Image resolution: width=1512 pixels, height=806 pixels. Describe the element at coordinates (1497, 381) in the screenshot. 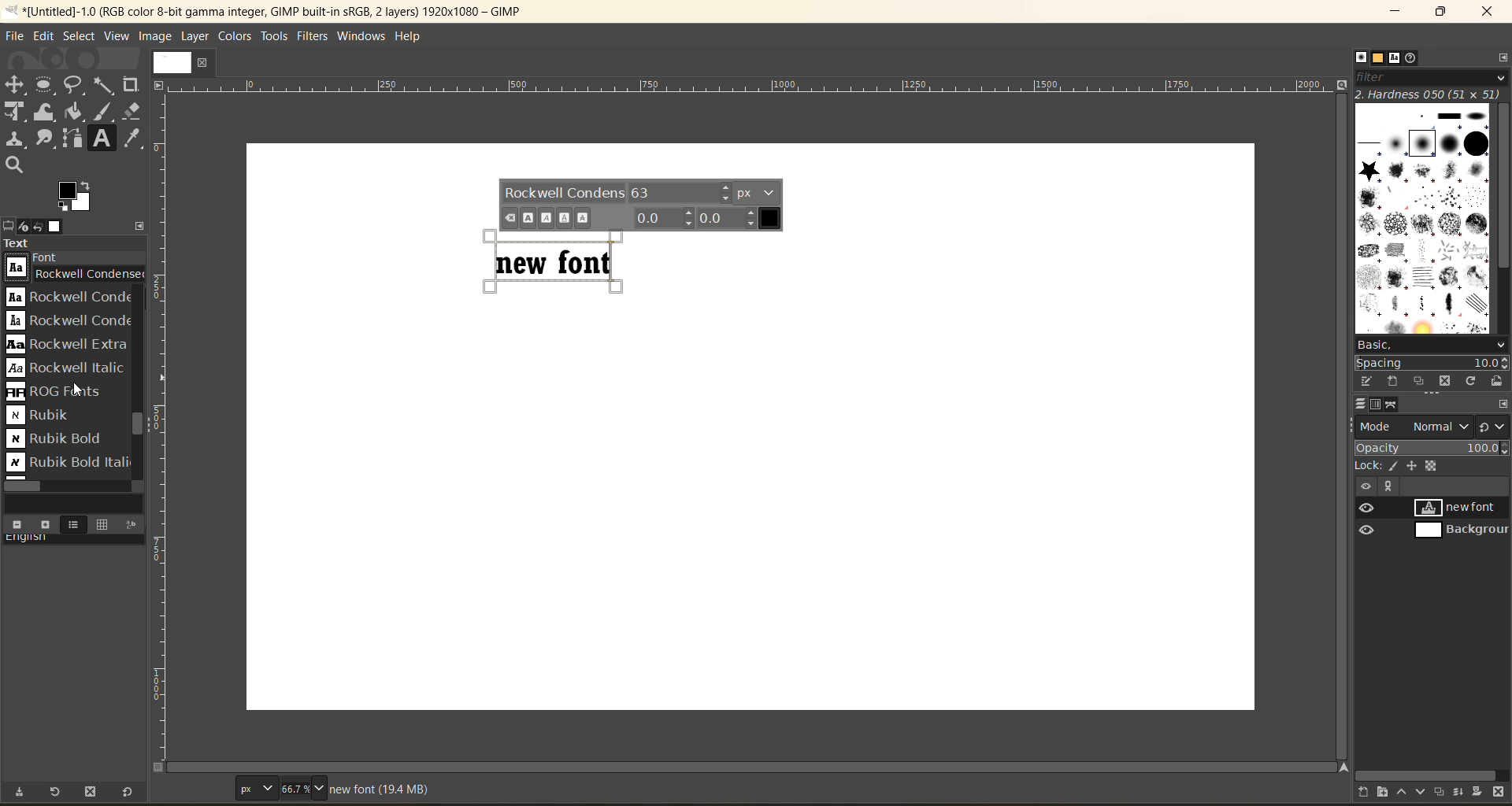

I see `open brush as image` at that location.